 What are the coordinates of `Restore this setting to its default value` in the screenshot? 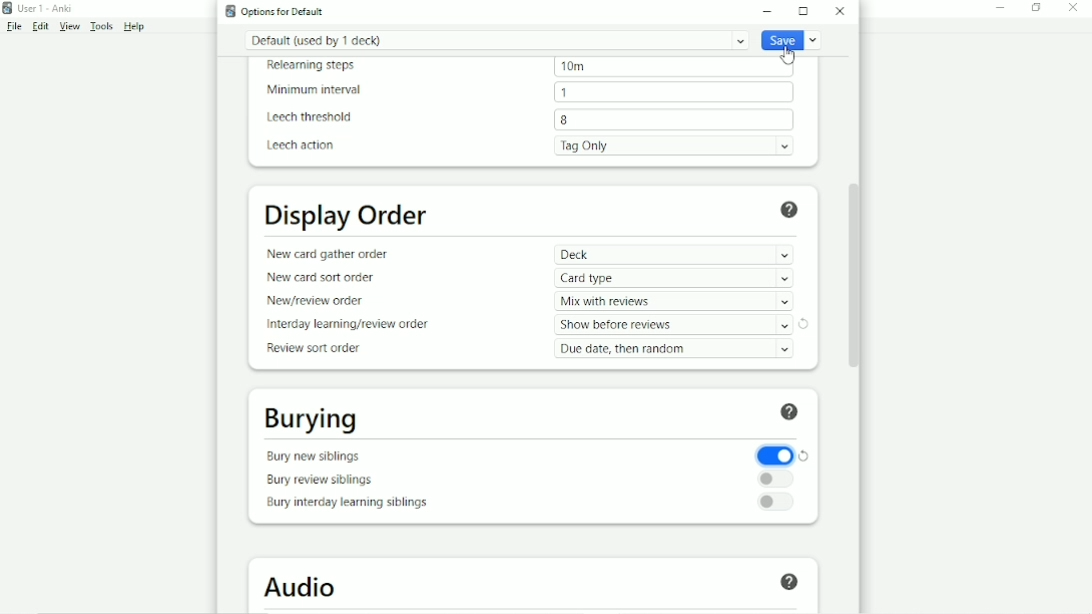 It's located at (804, 324).